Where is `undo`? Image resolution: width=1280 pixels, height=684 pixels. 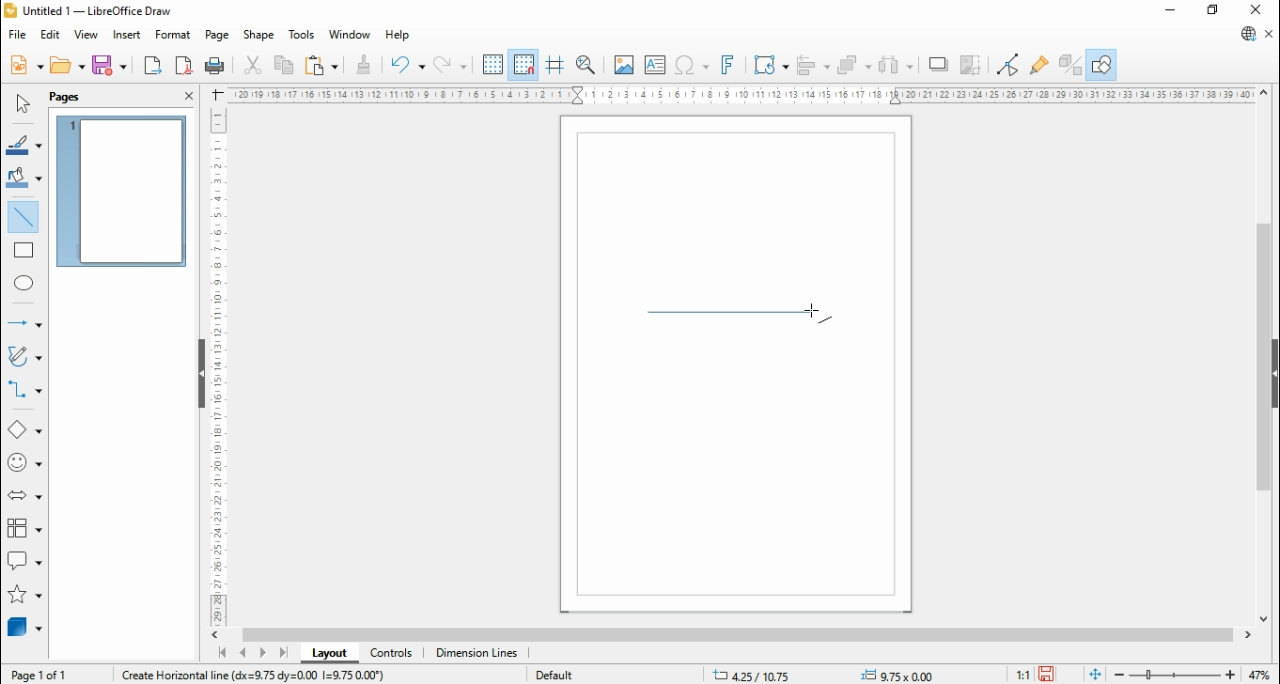 undo is located at coordinates (406, 64).